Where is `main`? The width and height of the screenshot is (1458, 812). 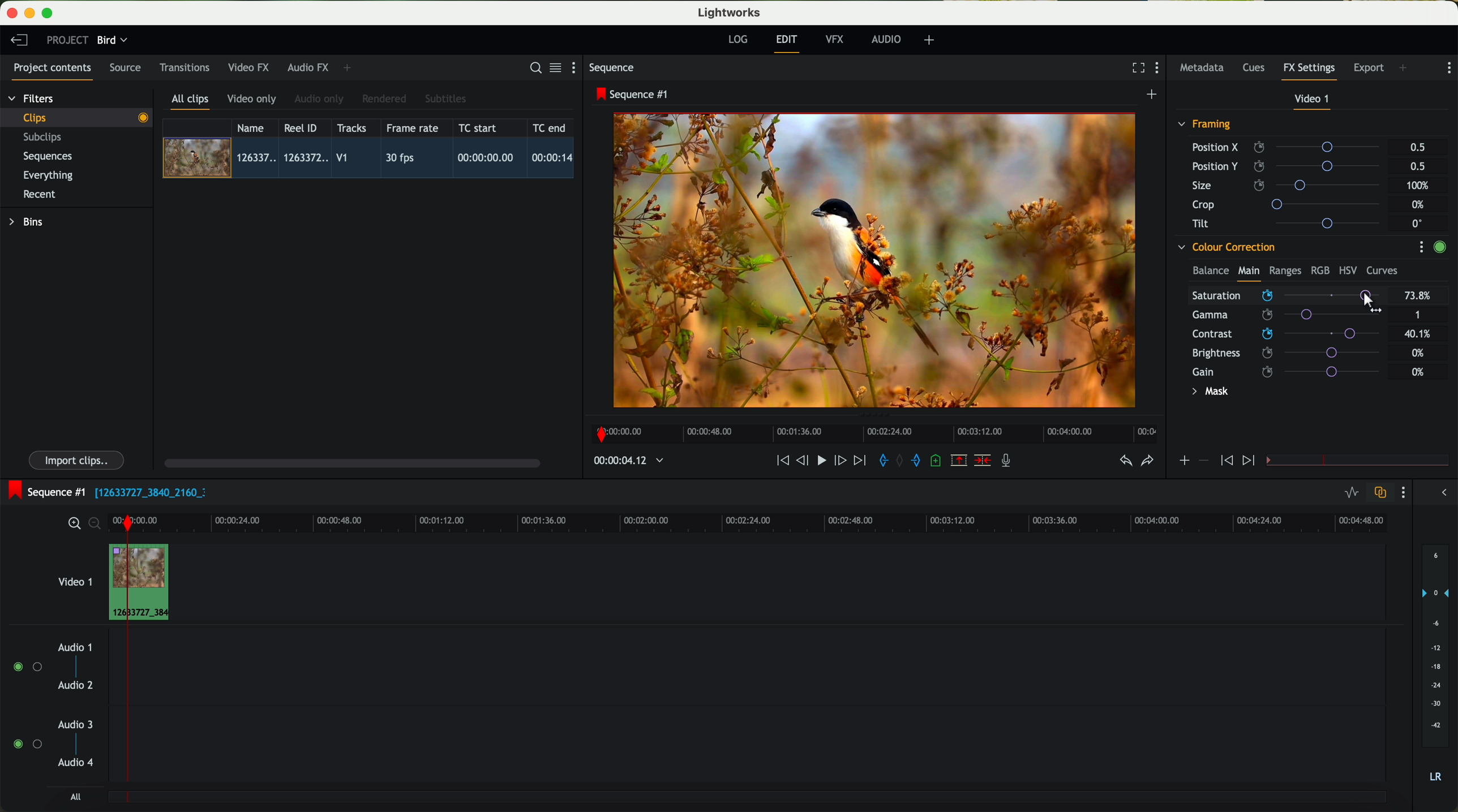
main is located at coordinates (1249, 273).